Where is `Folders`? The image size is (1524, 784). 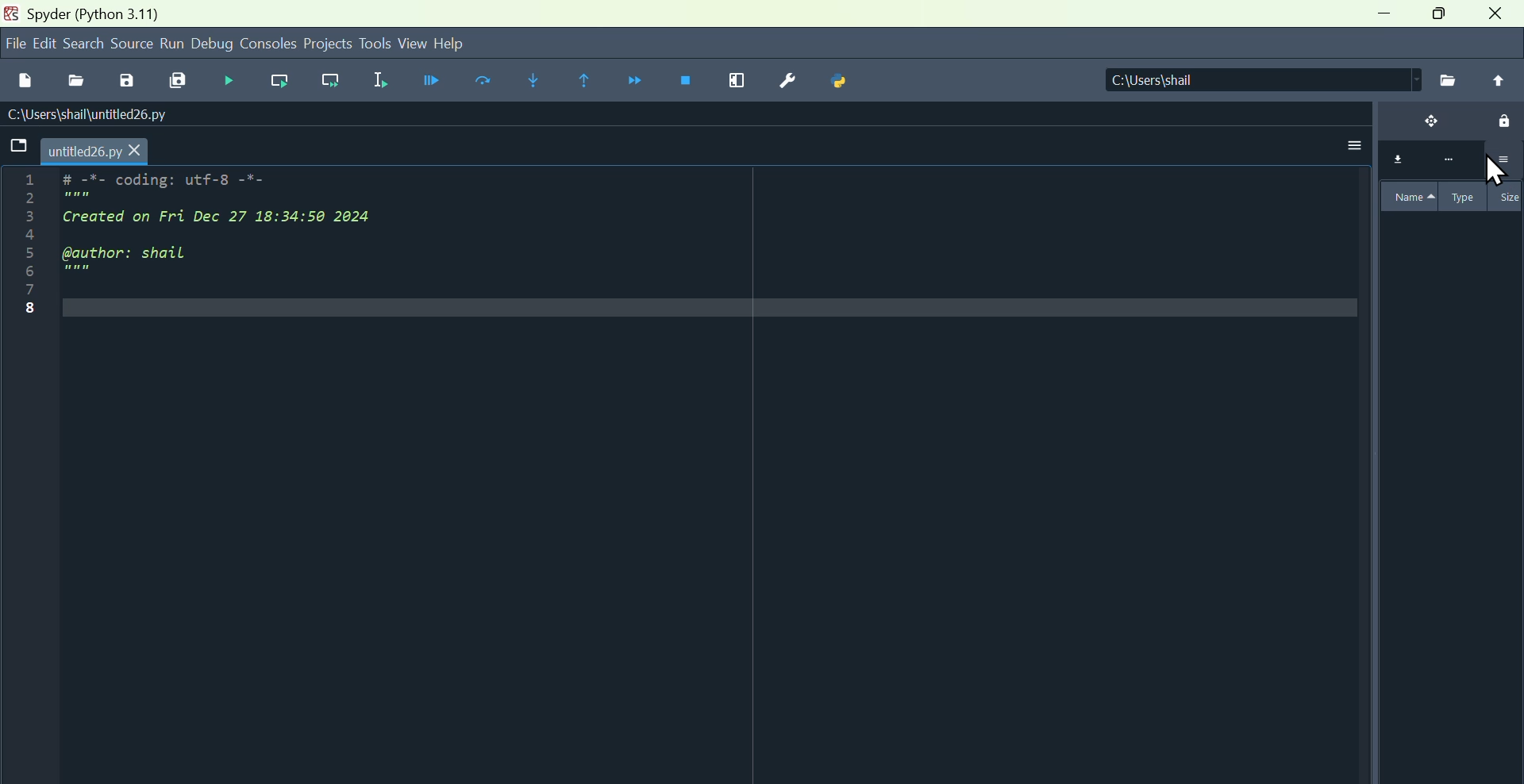
Folders is located at coordinates (16, 148).